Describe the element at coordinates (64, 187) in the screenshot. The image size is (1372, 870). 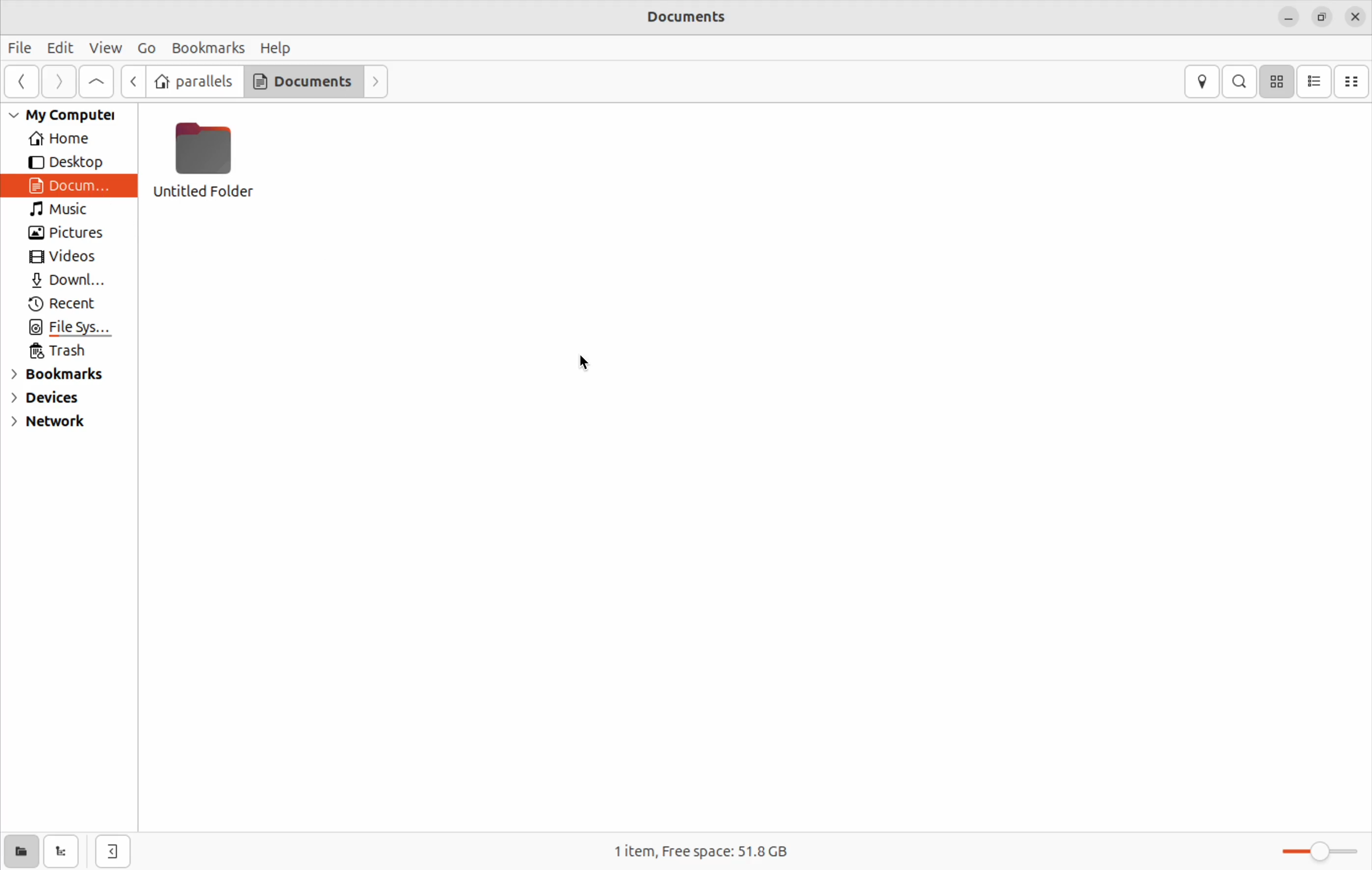
I see `documents` at that location.